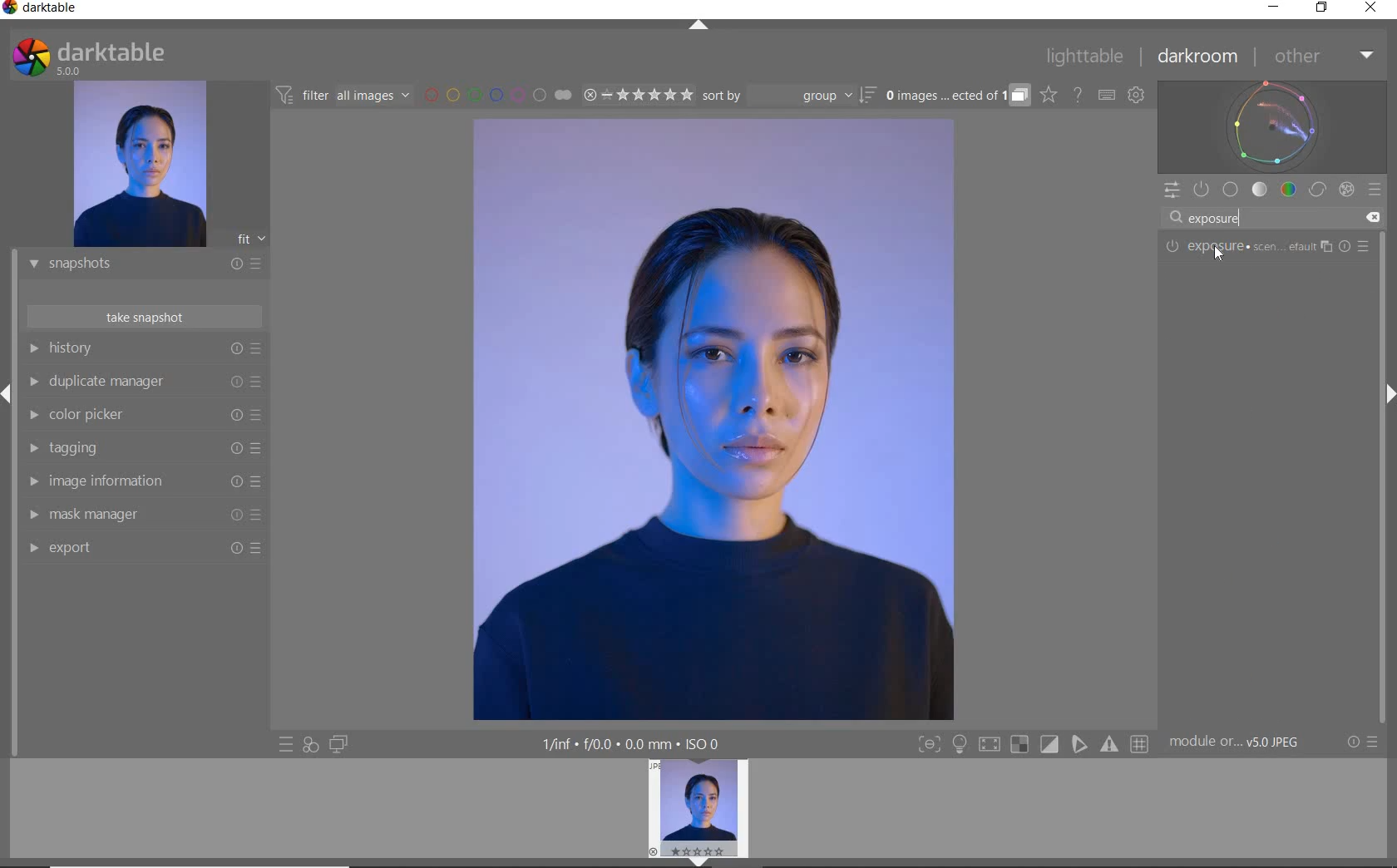  What do you see at coordinates (1078, 94) in the screenshot?
I see `HELP ONLINE` at bounding box center [1078, 94].